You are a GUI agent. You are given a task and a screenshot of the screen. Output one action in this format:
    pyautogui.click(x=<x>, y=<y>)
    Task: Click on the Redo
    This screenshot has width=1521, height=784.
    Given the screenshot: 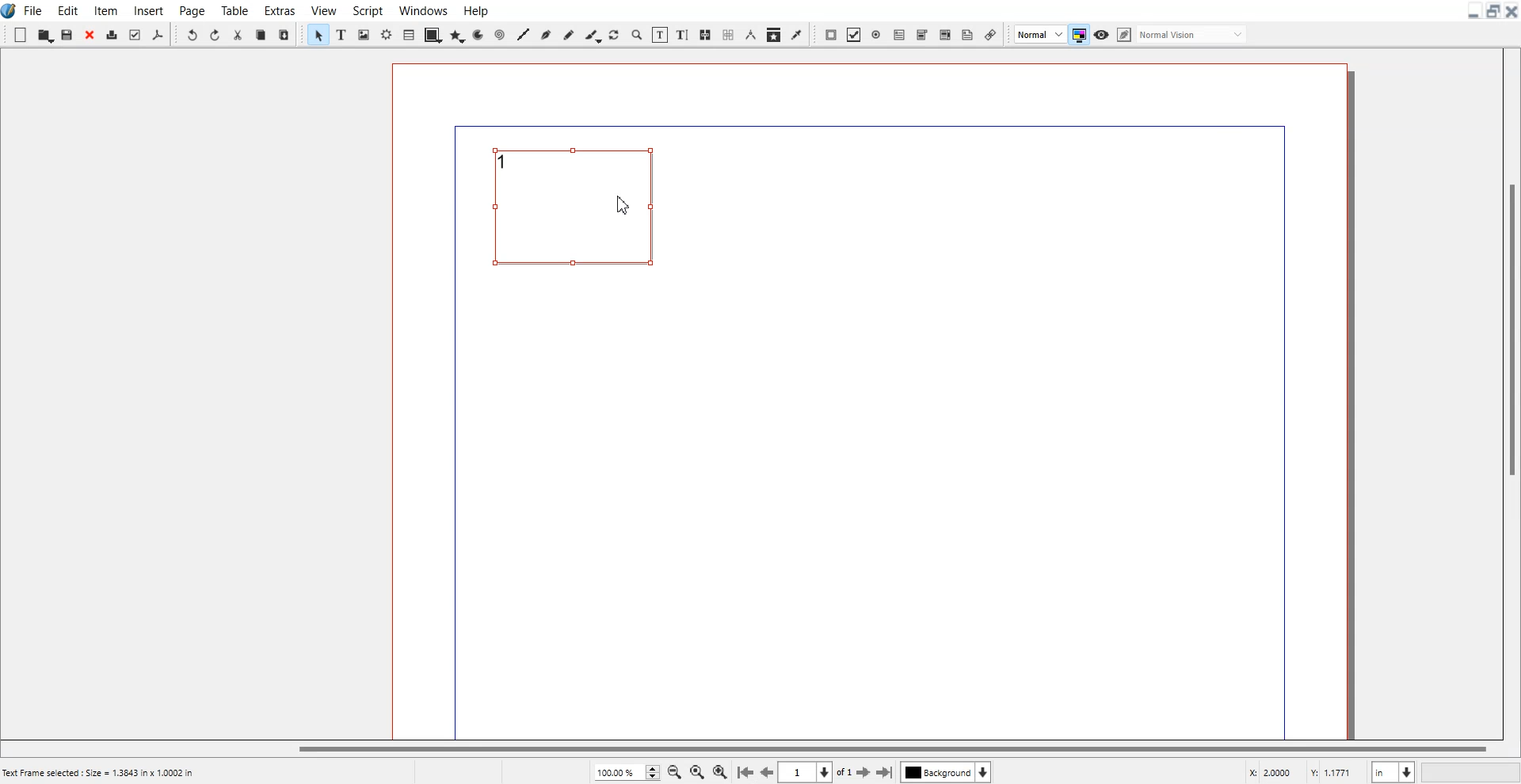 What is the action you would take?
    pyautogui.click(x=215, y=33)
    